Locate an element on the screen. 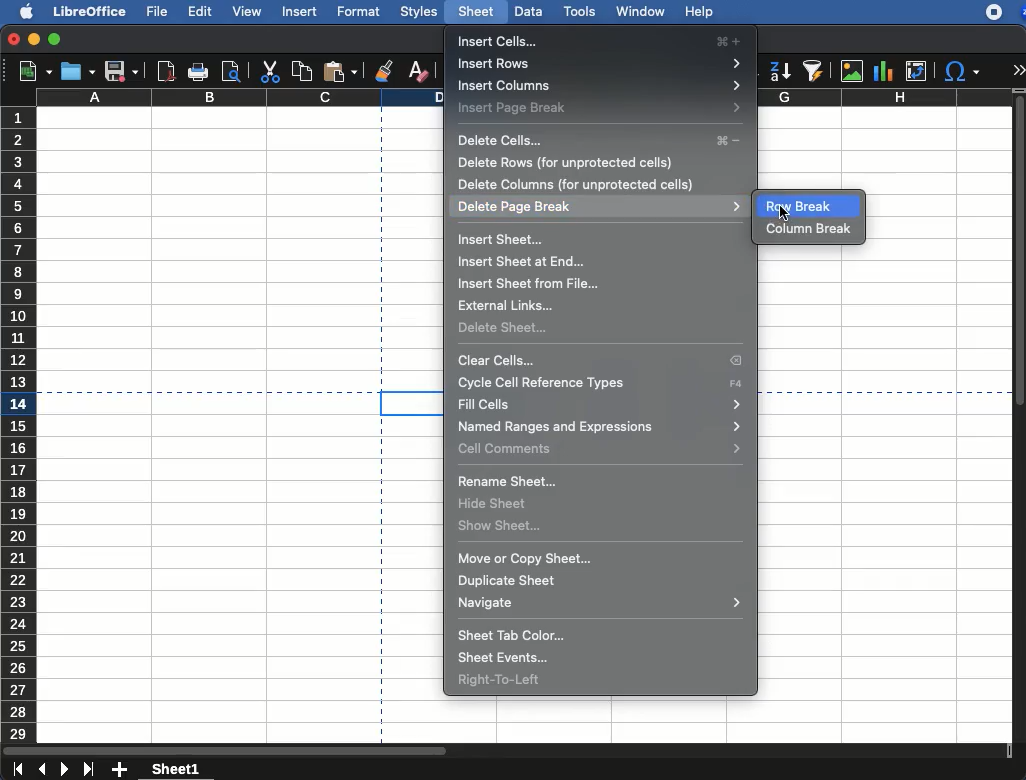  insert columns is located at coordinates (601, 86).